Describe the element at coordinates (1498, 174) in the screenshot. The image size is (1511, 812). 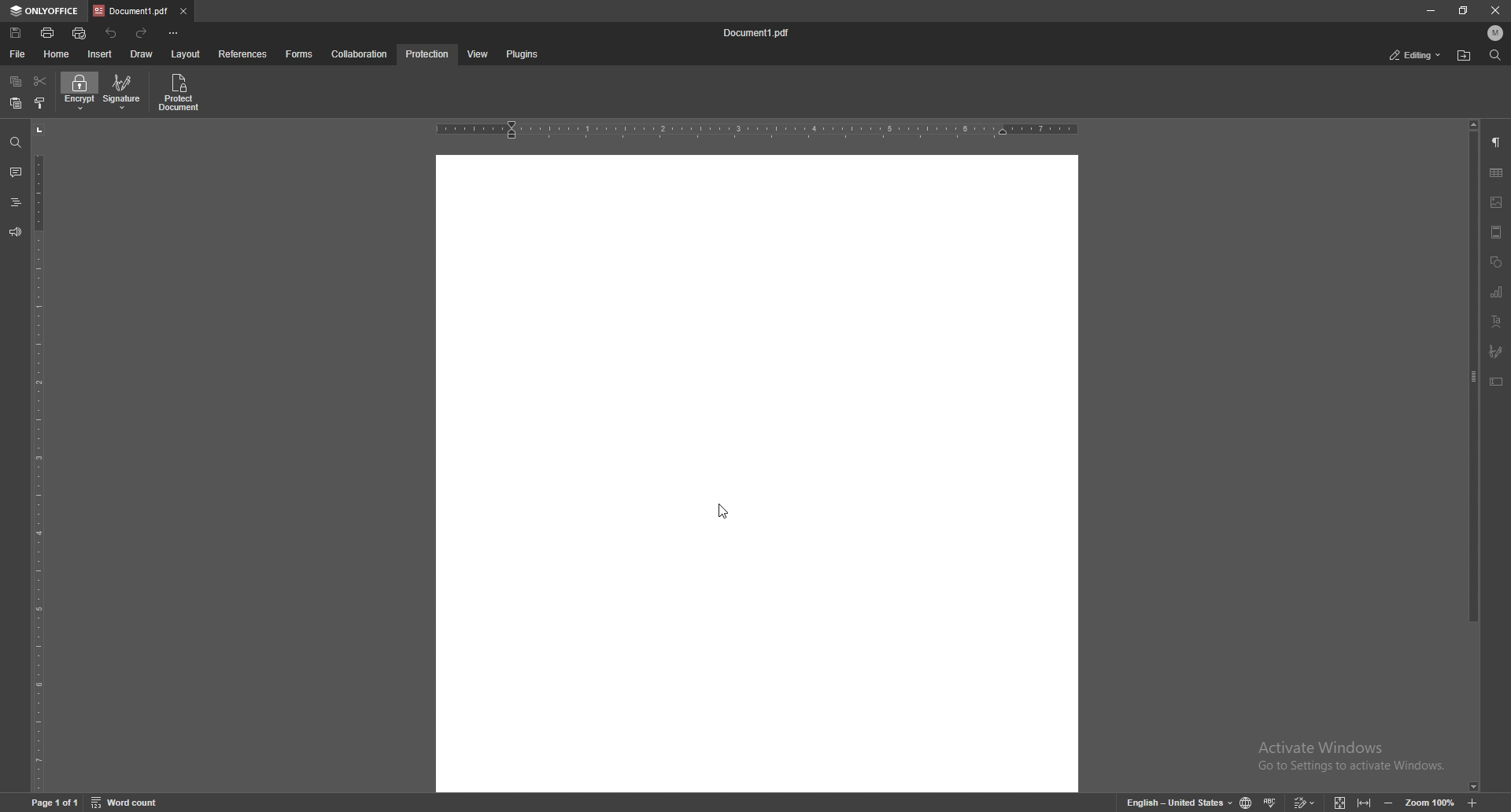
I see `table` at that location.